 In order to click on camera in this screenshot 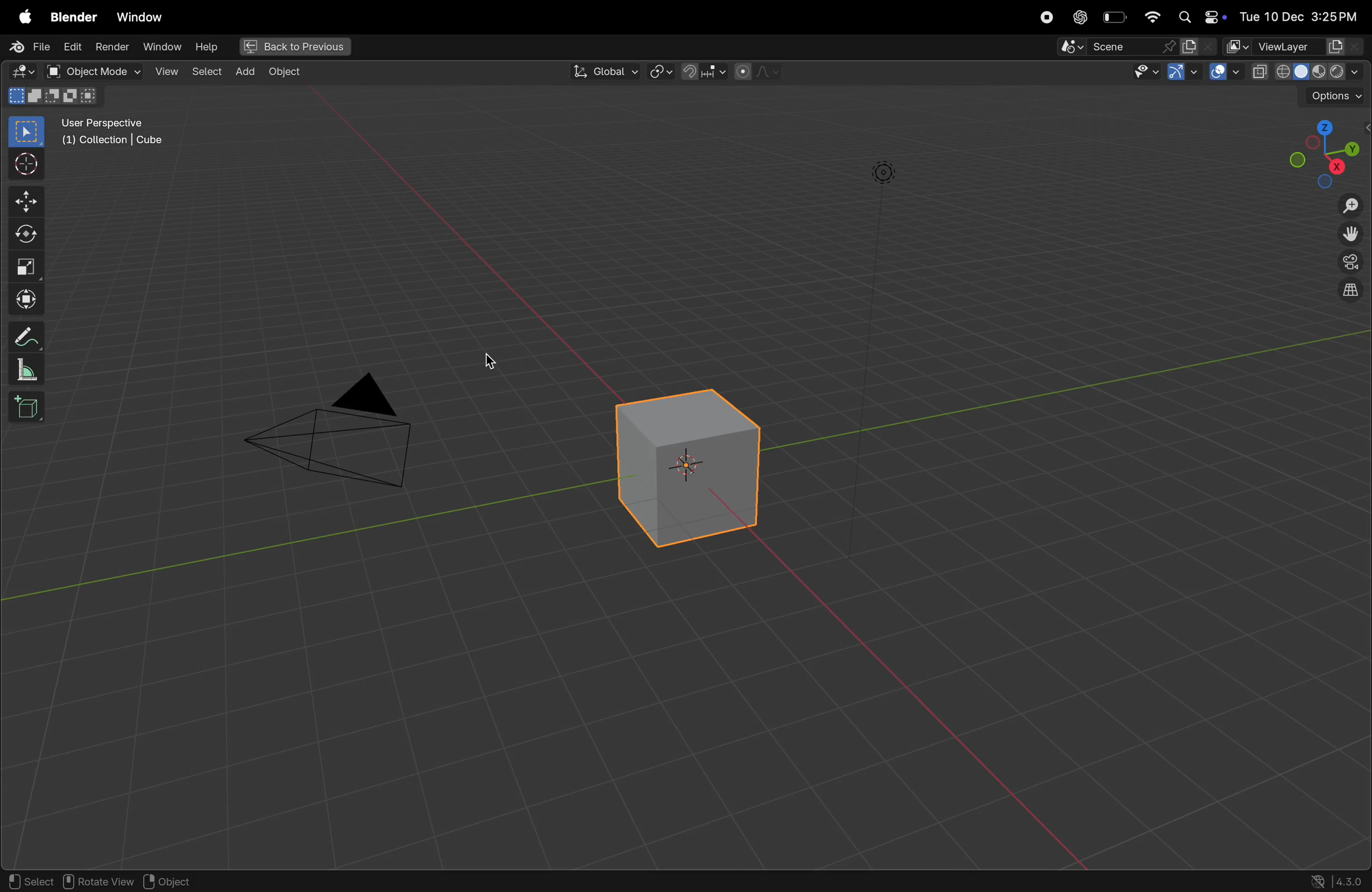, I will do `click(341, 438)`.